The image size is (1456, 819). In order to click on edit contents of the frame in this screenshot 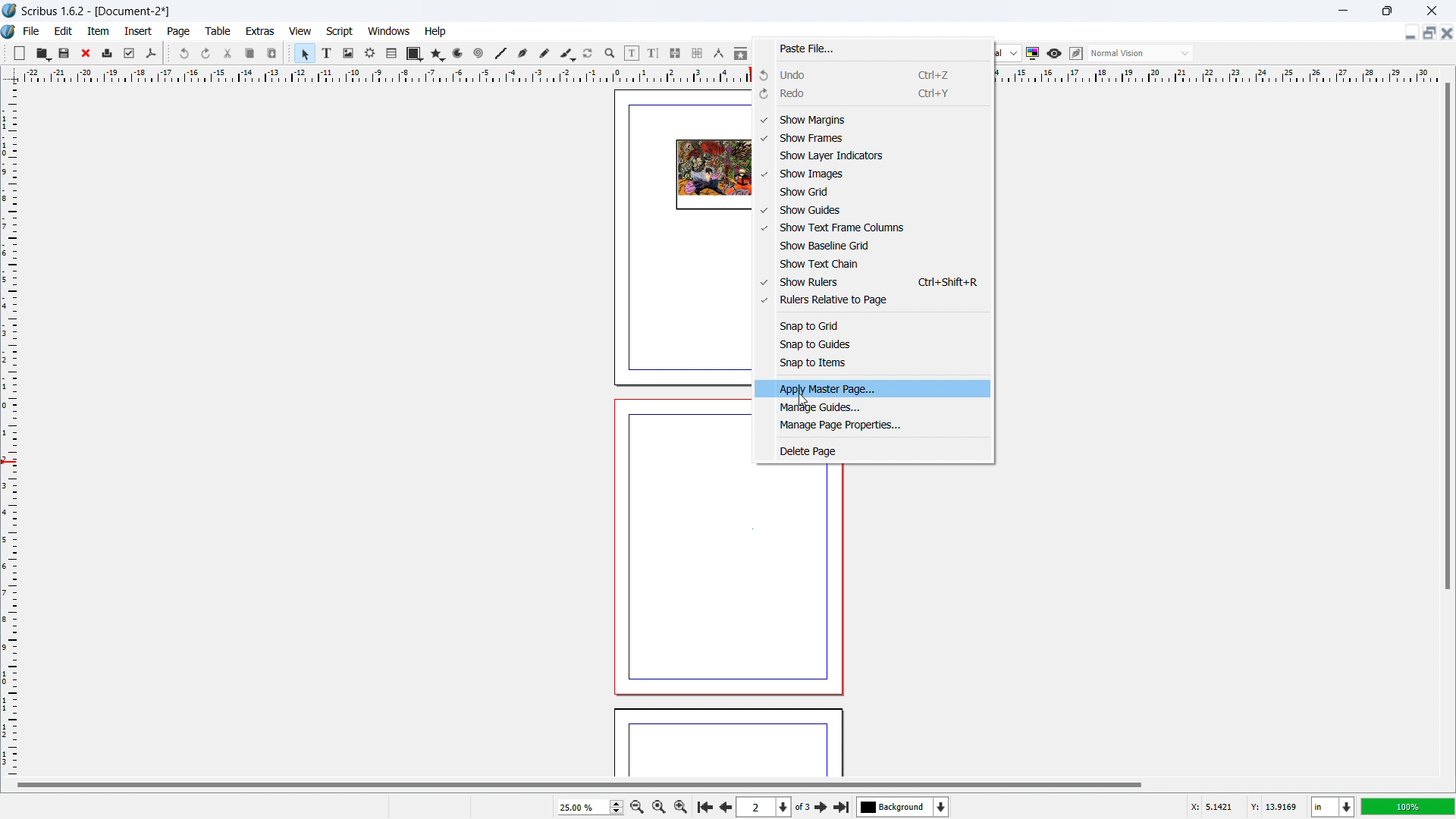, I will do `click(632, 54)`.